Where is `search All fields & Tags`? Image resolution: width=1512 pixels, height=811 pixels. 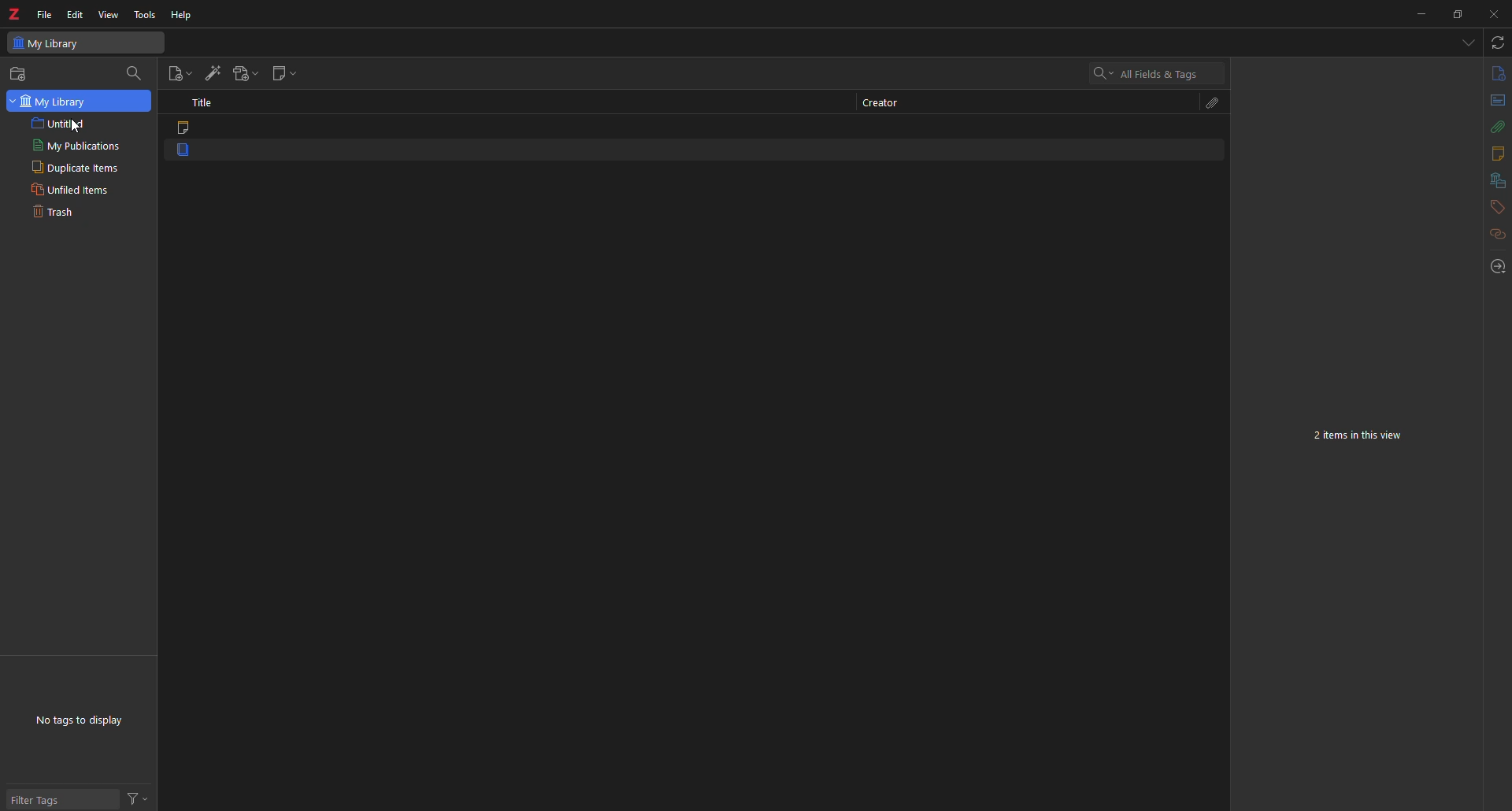
search All fields & Tags is located at coordinates (1154, 73).